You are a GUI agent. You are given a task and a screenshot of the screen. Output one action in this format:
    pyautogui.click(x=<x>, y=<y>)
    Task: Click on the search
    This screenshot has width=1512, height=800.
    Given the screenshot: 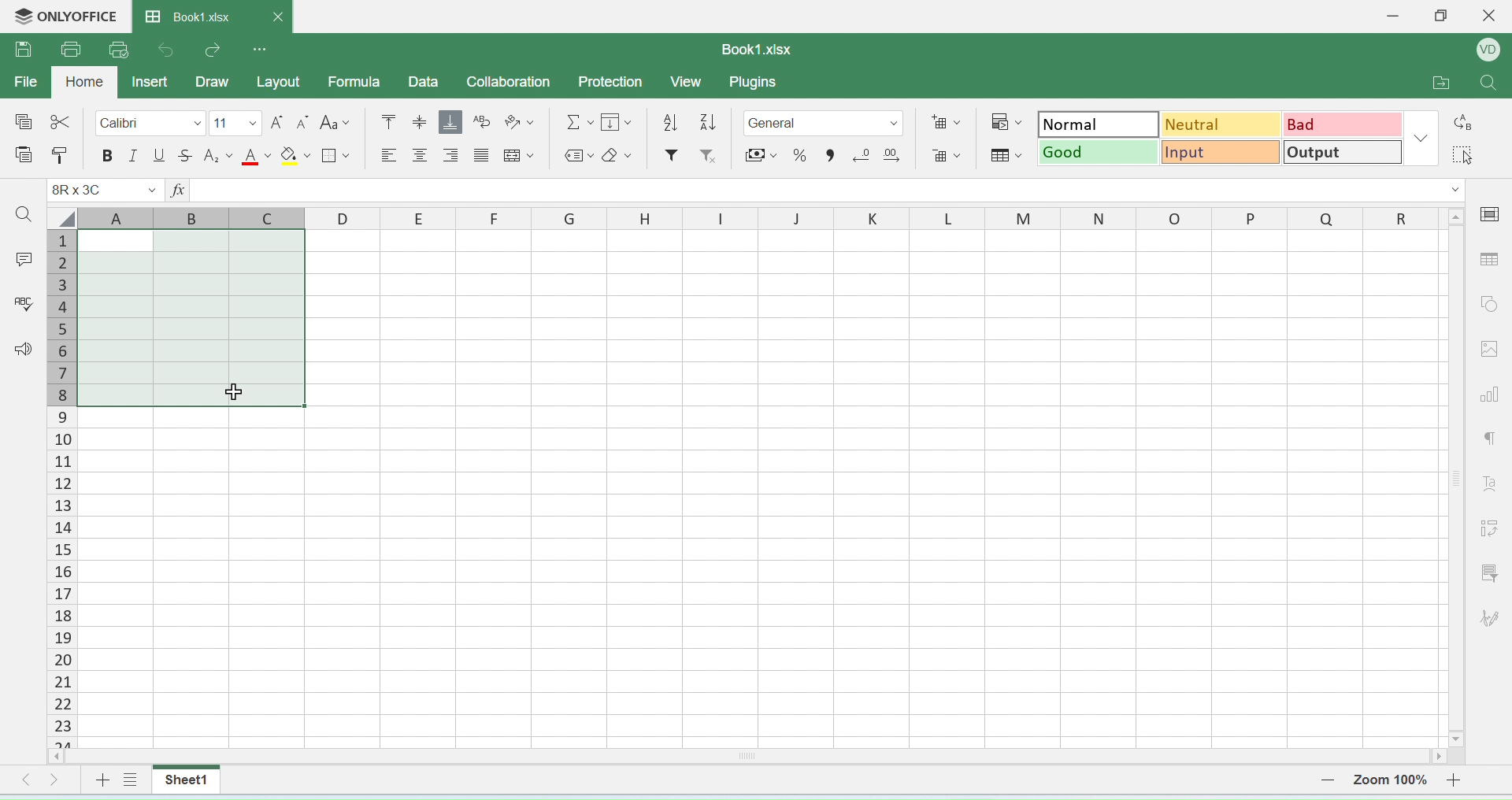 What is the action you would take?
    pyautogui.click(x=24, y=216)
    